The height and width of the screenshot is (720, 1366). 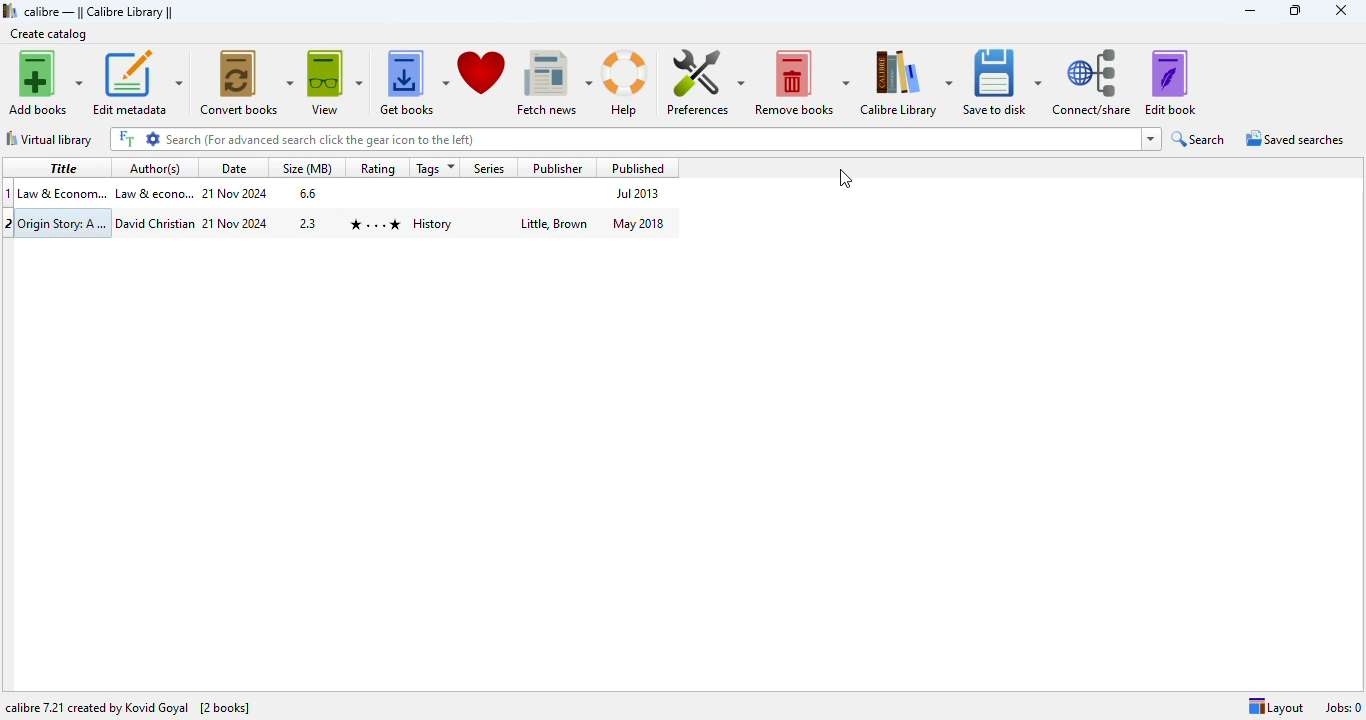 I want to click on publisher, so click(x=561, y=167).